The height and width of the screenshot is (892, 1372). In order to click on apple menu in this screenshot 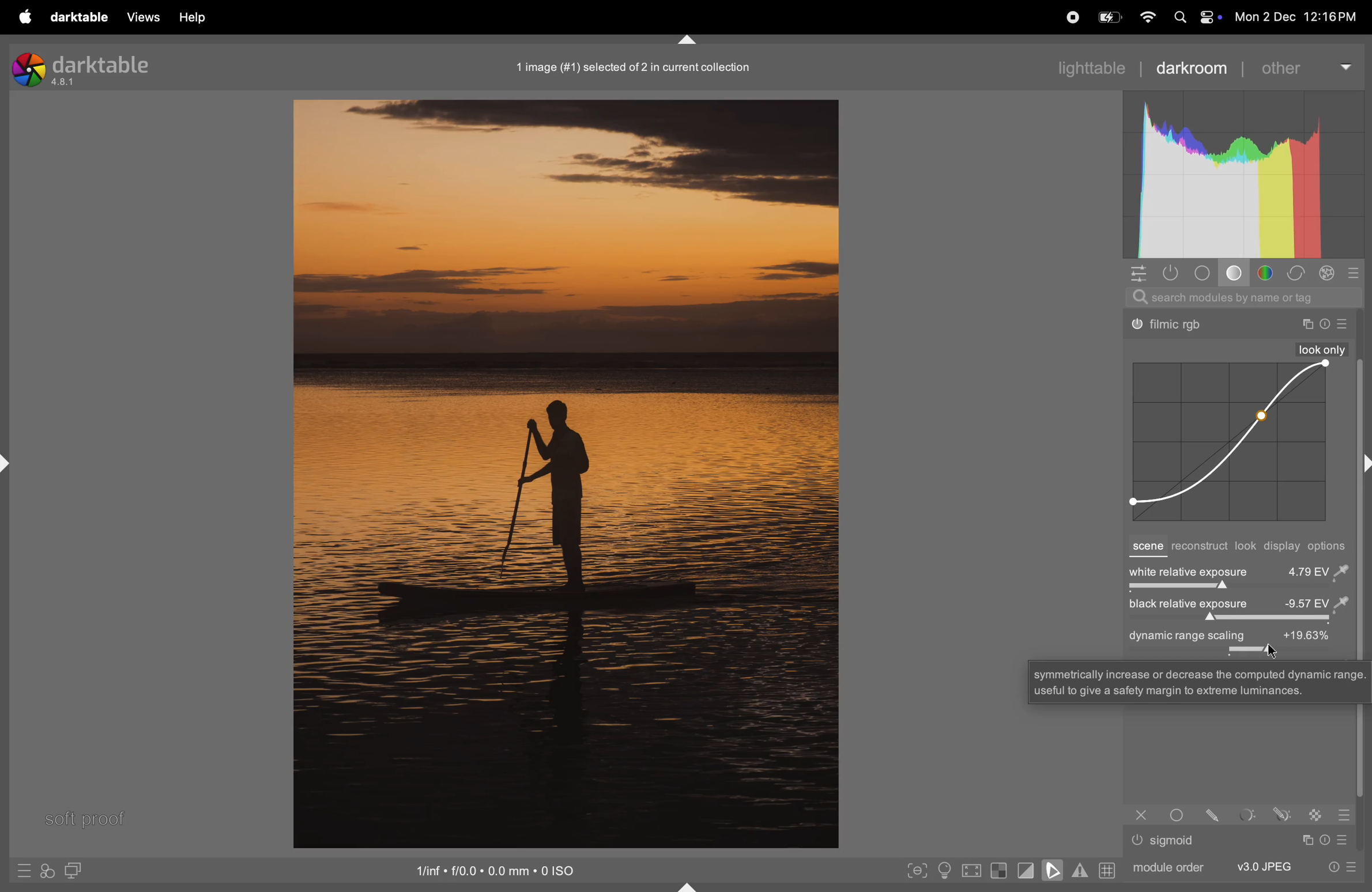, I will do `click(22, 17)`.